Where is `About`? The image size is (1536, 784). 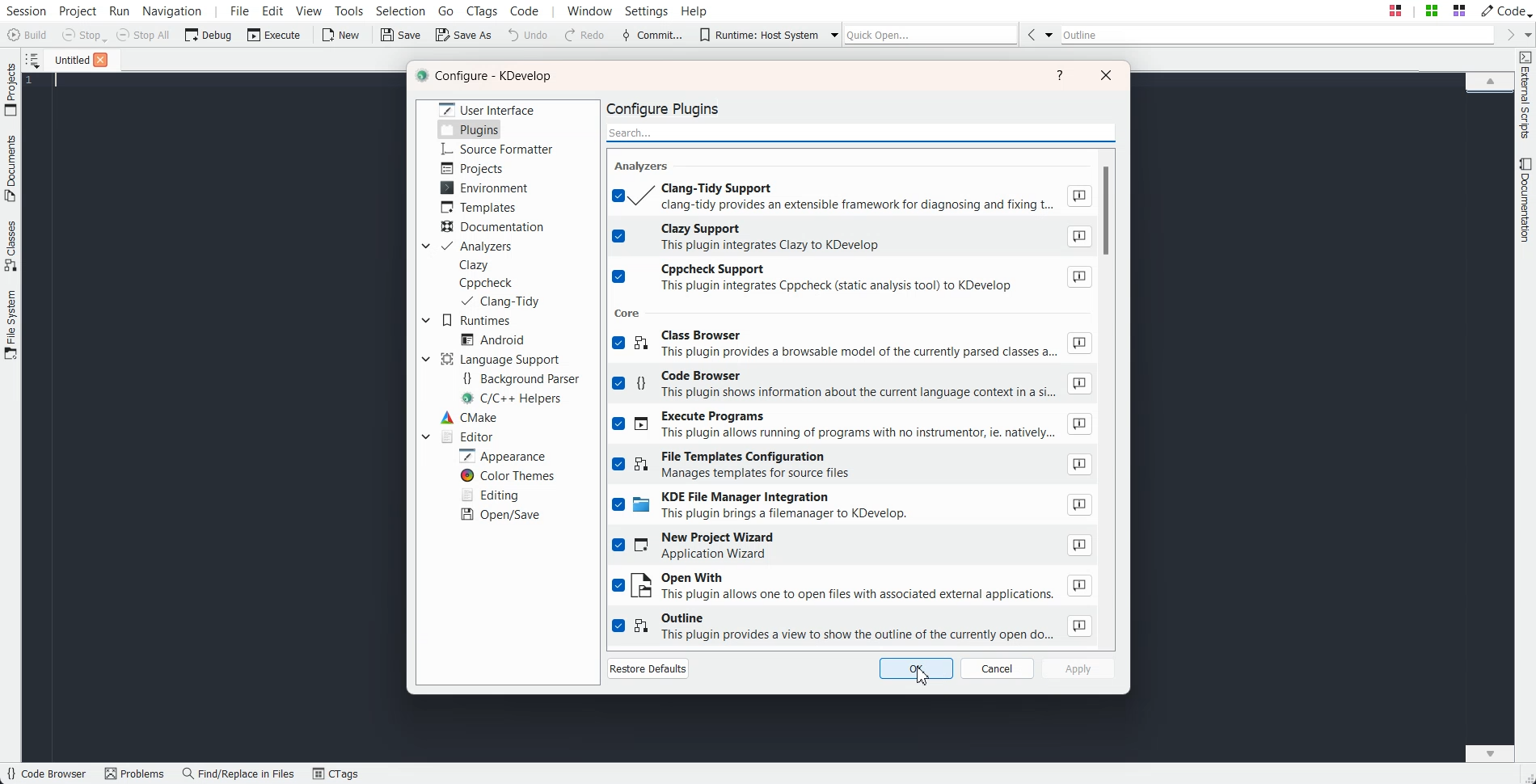 About is located at coordinates (1079, 277).